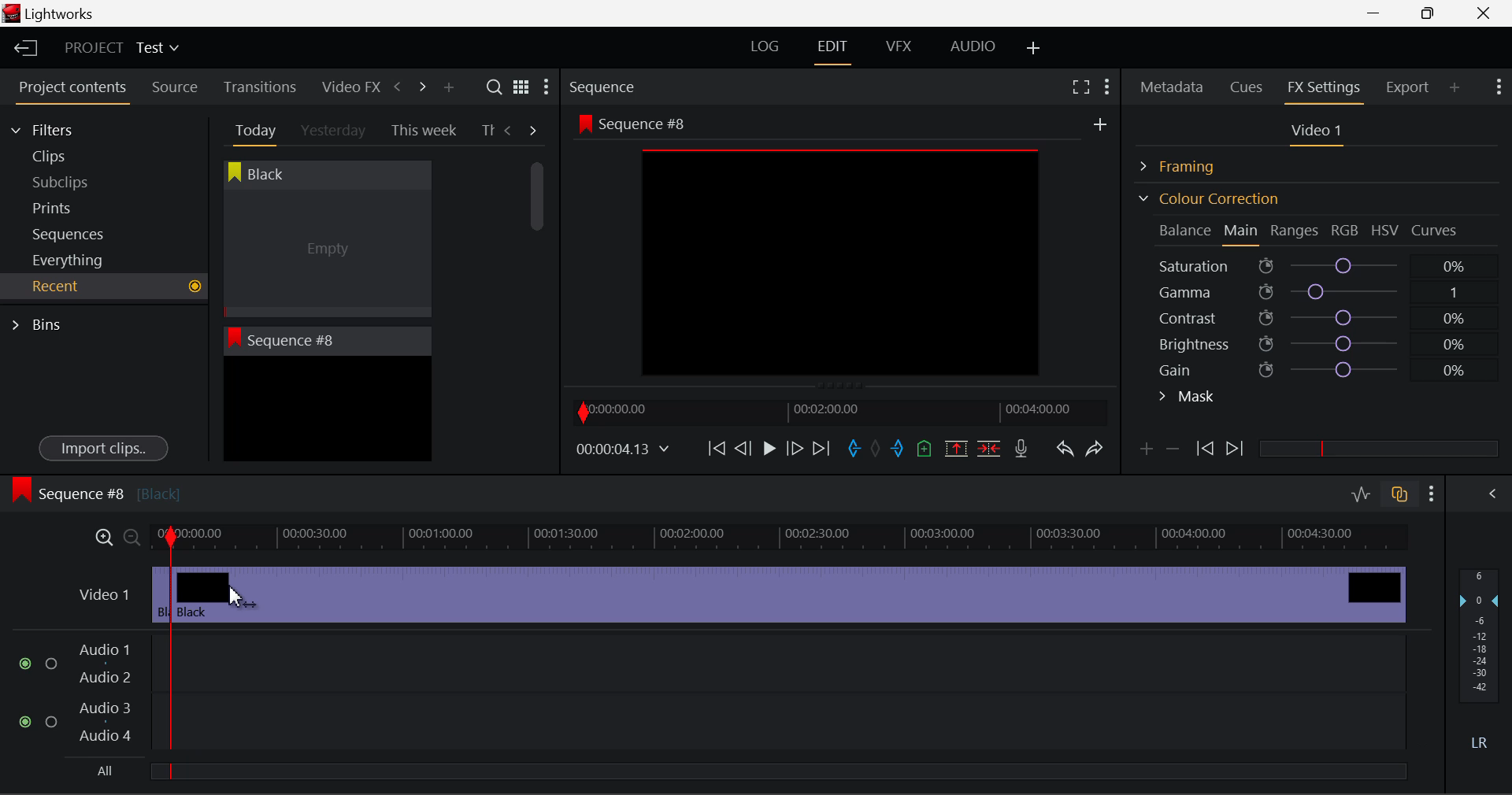 This screenshot has width=1512, height=795. Describe the element at coordinates (74, 205) in the screenshot. I see `Prints` at that location.